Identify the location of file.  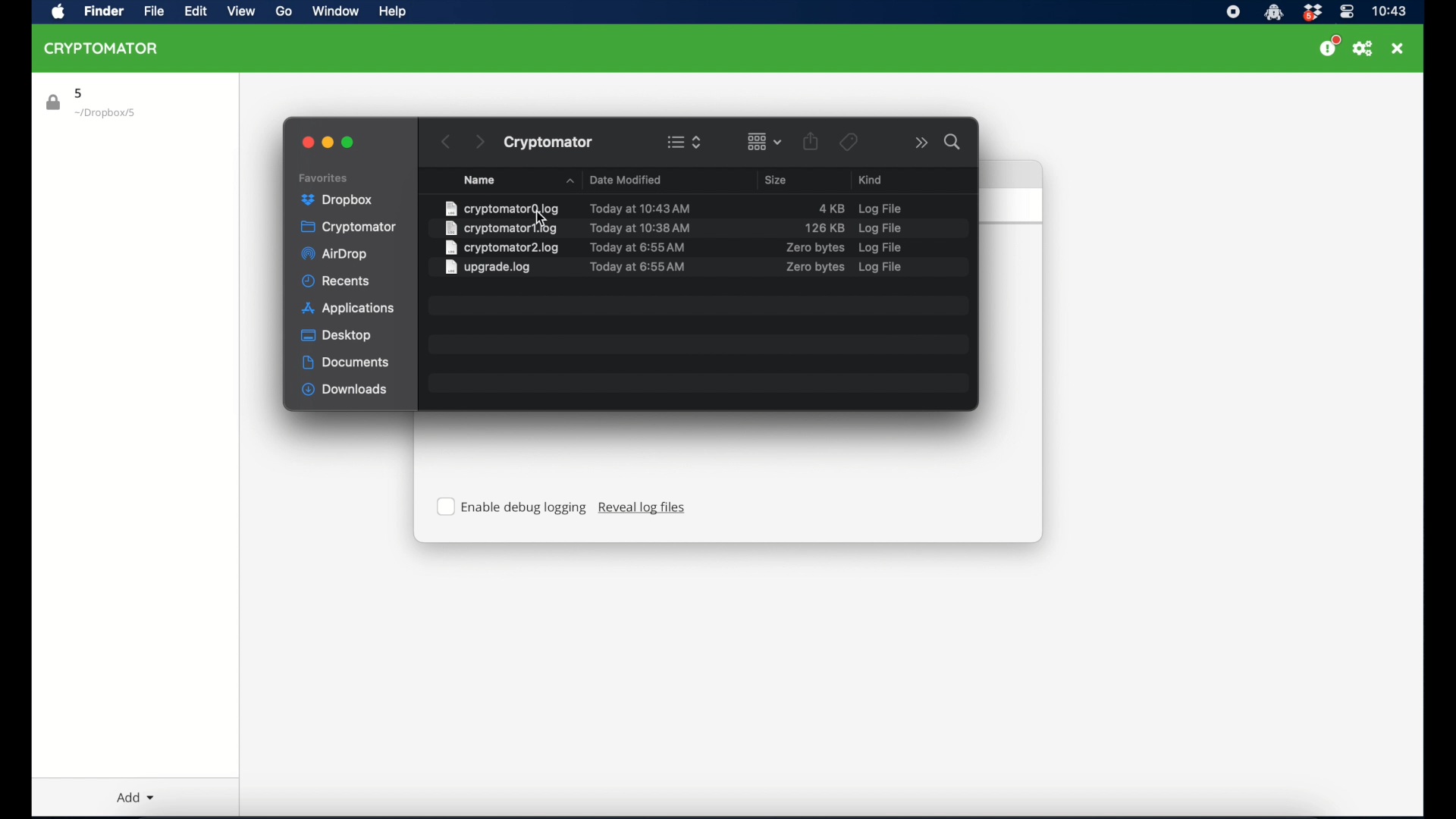
(503, 208).